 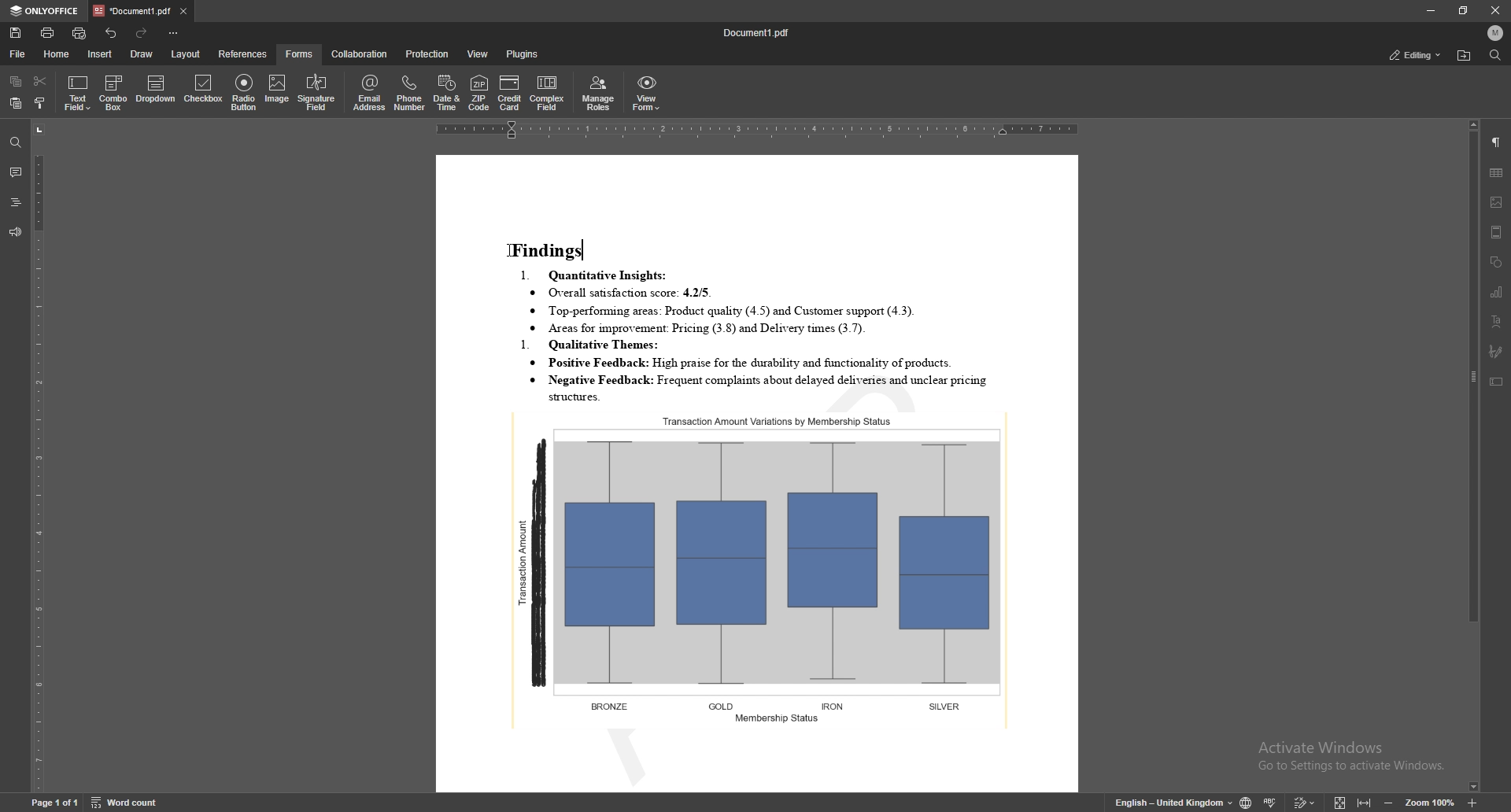 What do you see at coordinates (141, 53) in the screenshot?
I see `draw` at bounding box center [141, 53].